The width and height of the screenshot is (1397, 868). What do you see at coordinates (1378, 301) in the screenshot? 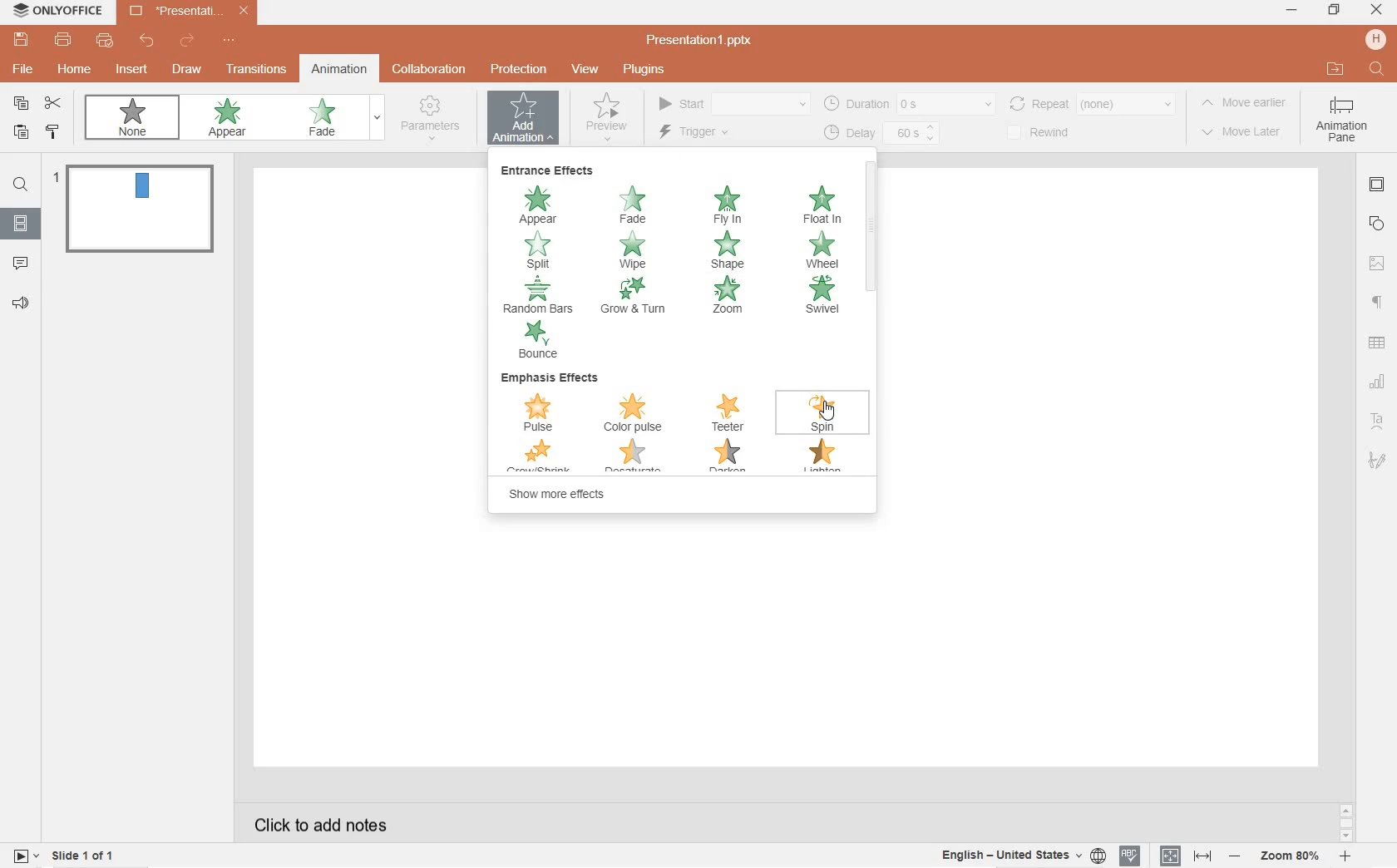
I see `paragraph settings` at bounding box center [1378, 301].